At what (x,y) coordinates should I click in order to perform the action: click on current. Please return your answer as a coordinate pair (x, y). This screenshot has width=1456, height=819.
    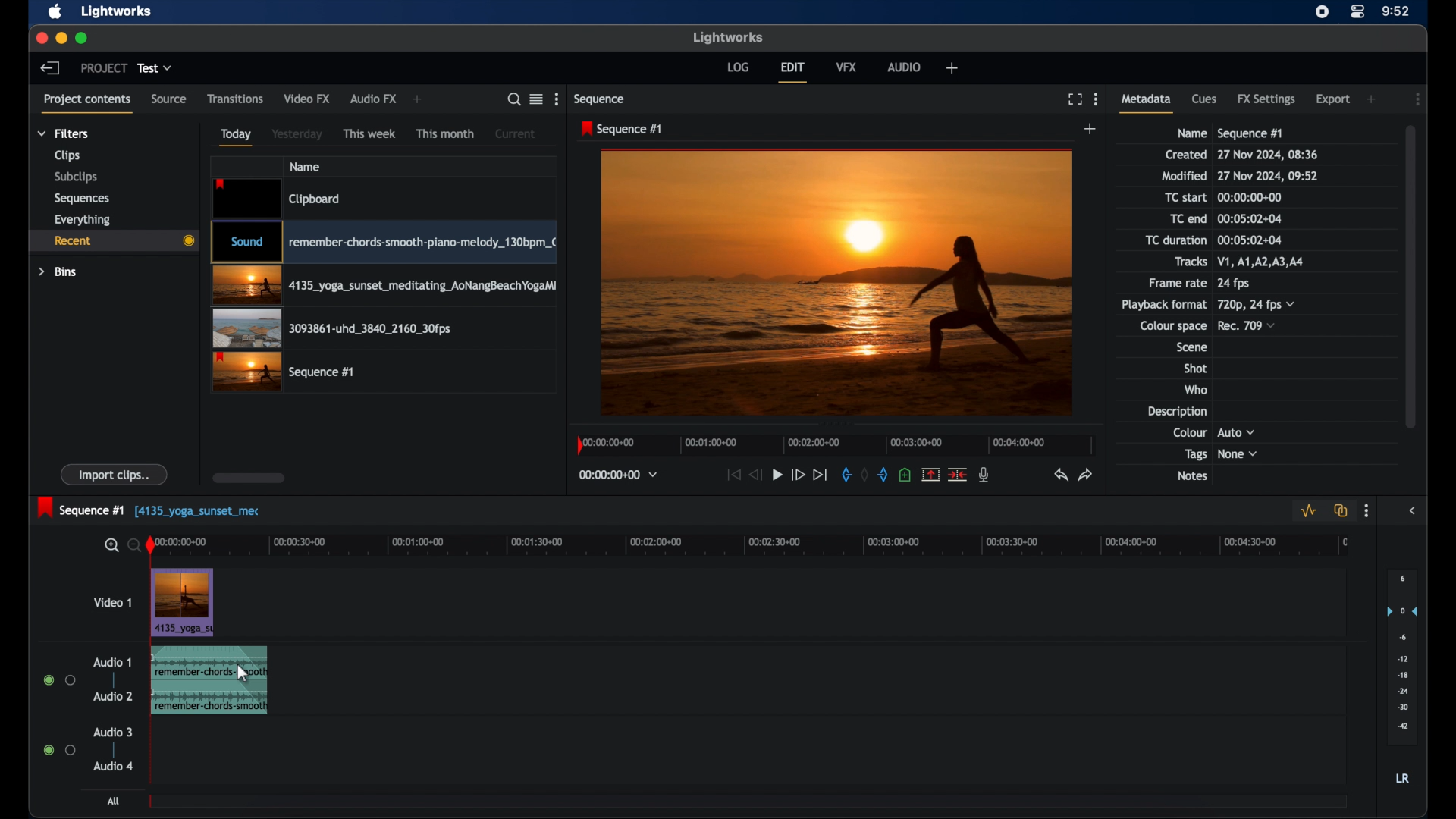
    Looking at the image, I should click on (517, 133).